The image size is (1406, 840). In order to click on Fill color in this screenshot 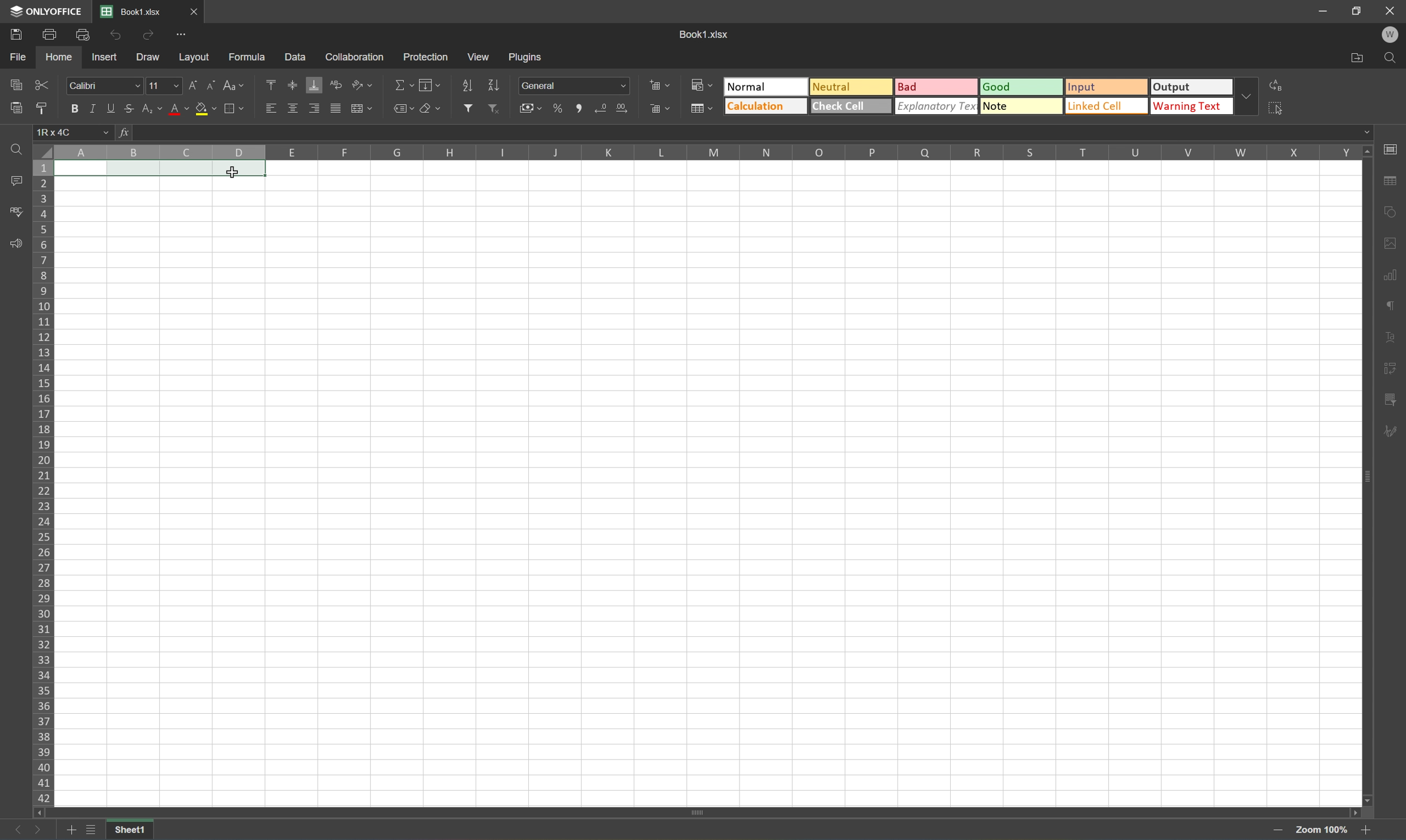, I will do `click(206, 109)`.